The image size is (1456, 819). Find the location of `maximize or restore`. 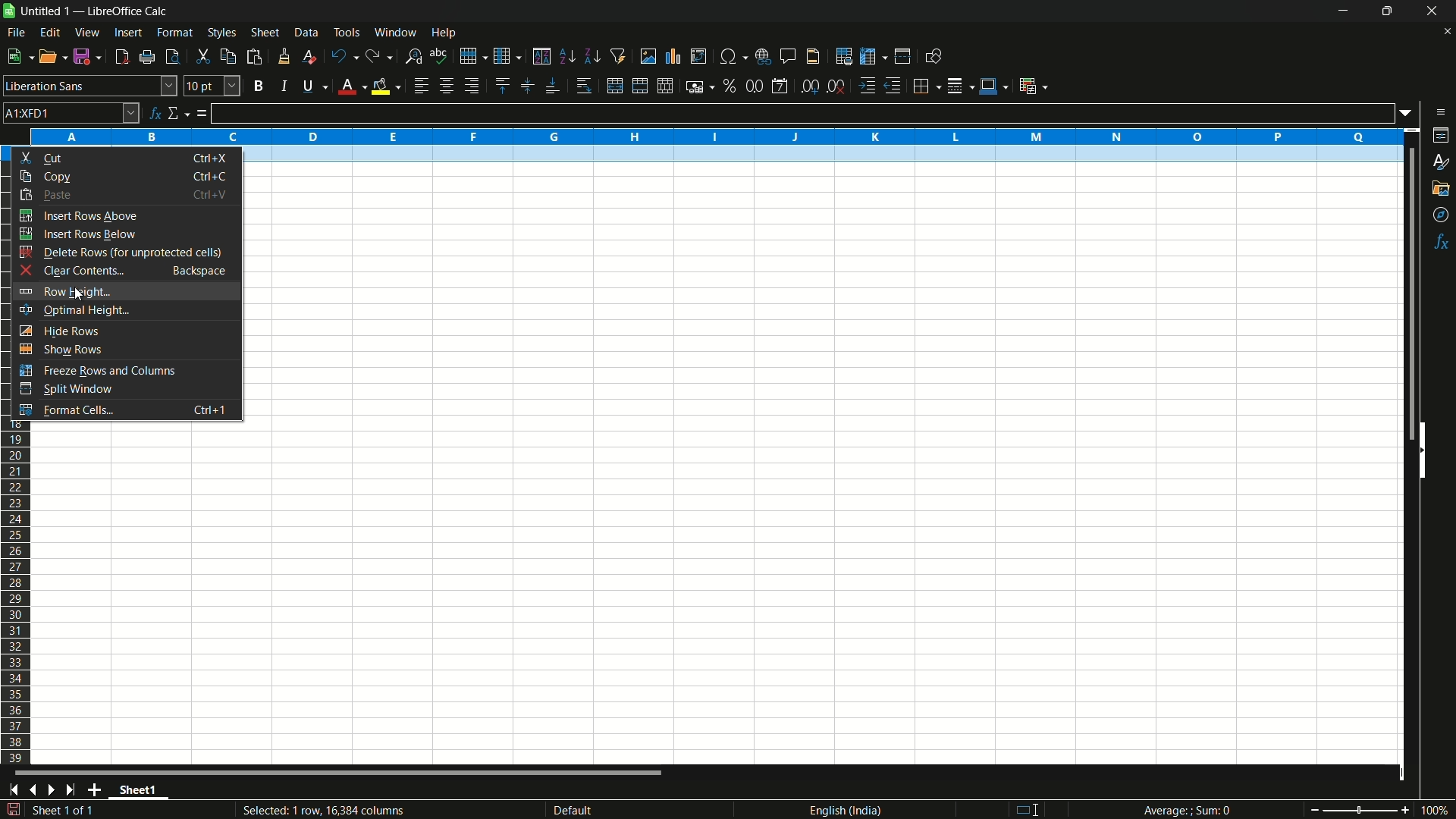

maximize or restore is located at coordinates (1387, 11).